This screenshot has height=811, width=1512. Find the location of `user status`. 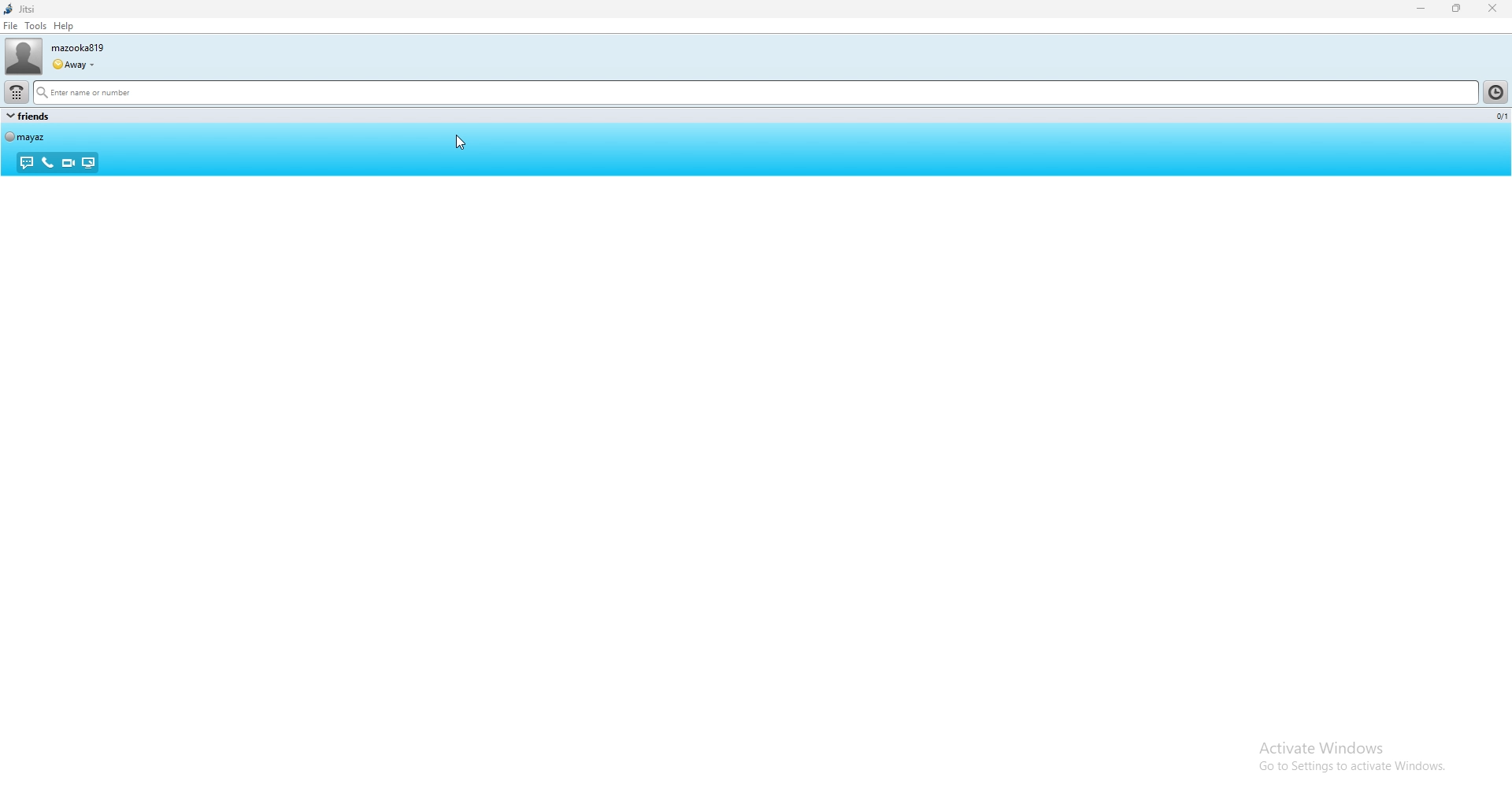

user status is located at coordinates (73, 65).